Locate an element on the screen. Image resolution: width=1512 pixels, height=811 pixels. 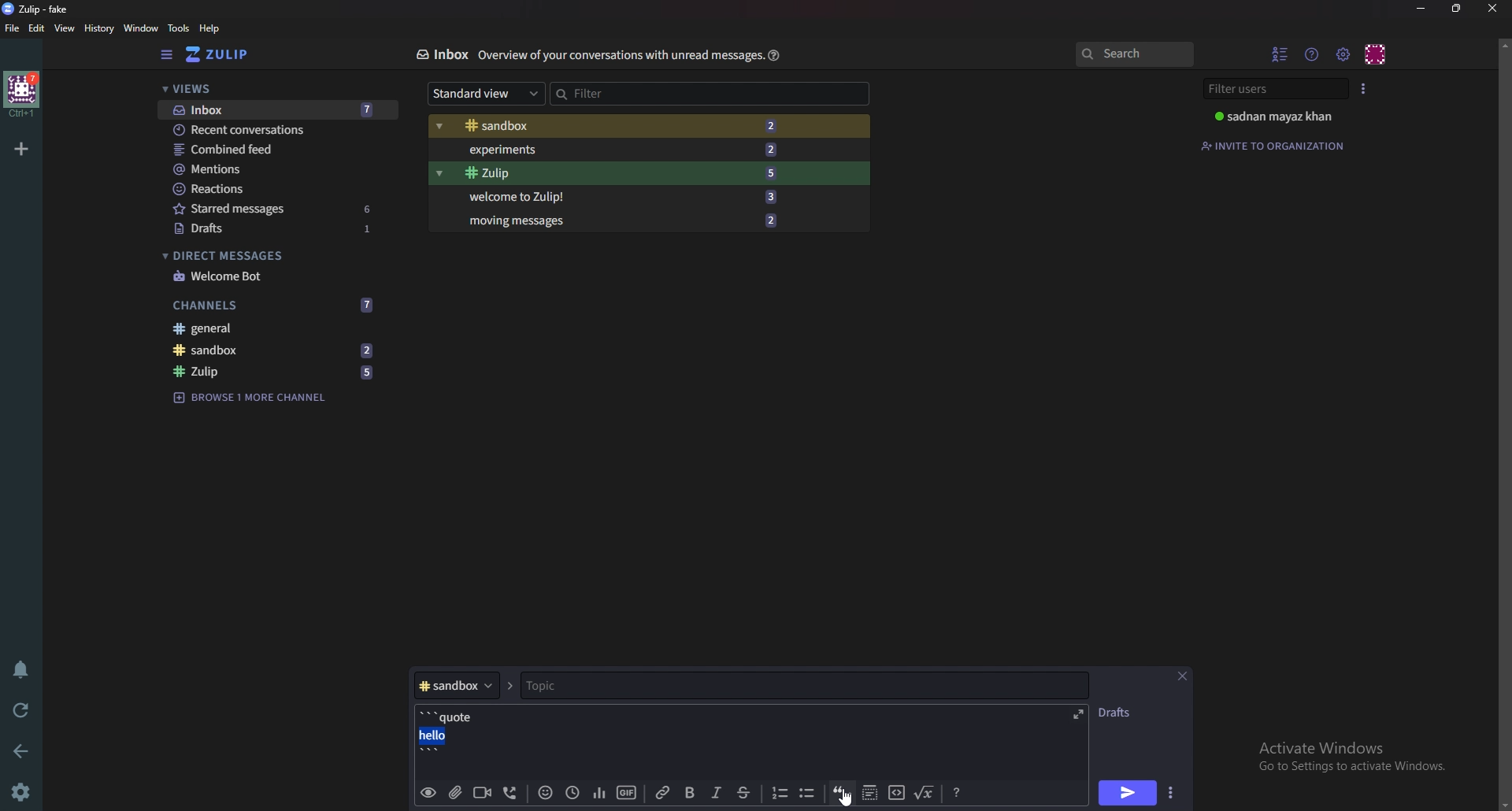
search is located at coordinates (1135, 55).